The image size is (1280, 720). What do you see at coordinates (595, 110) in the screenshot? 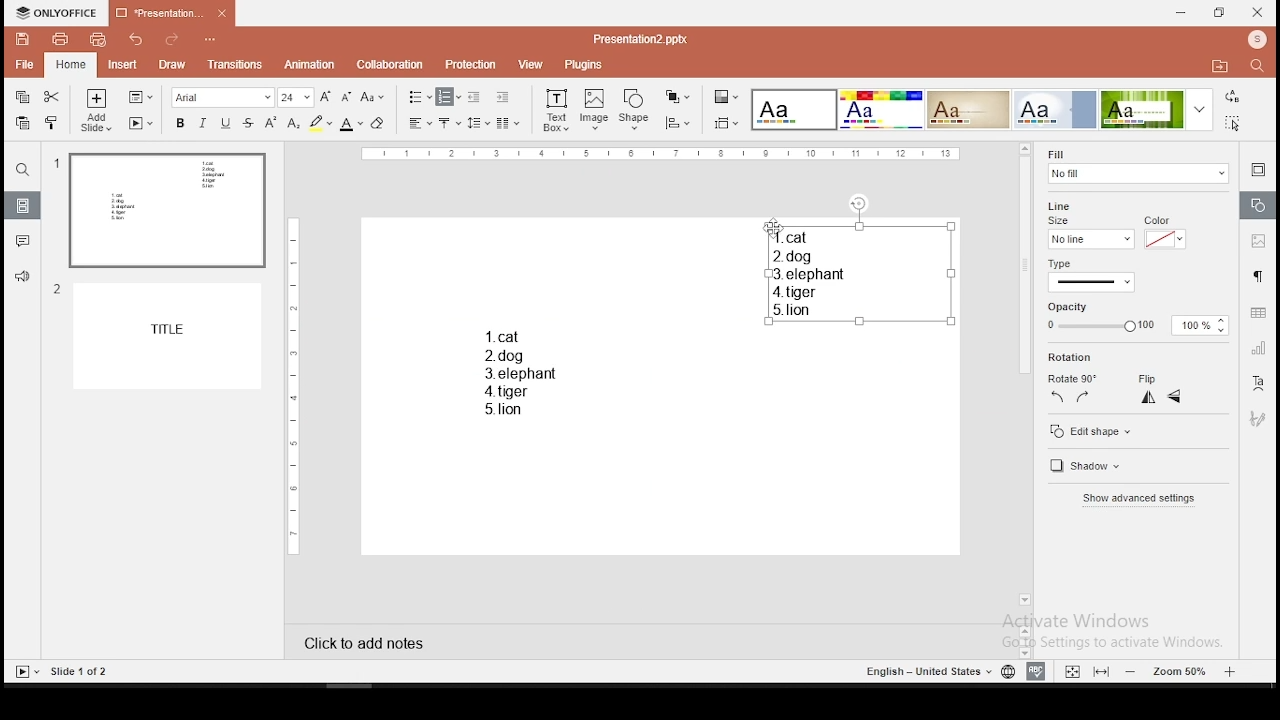
I see `image` at bounding box center [595, 110].